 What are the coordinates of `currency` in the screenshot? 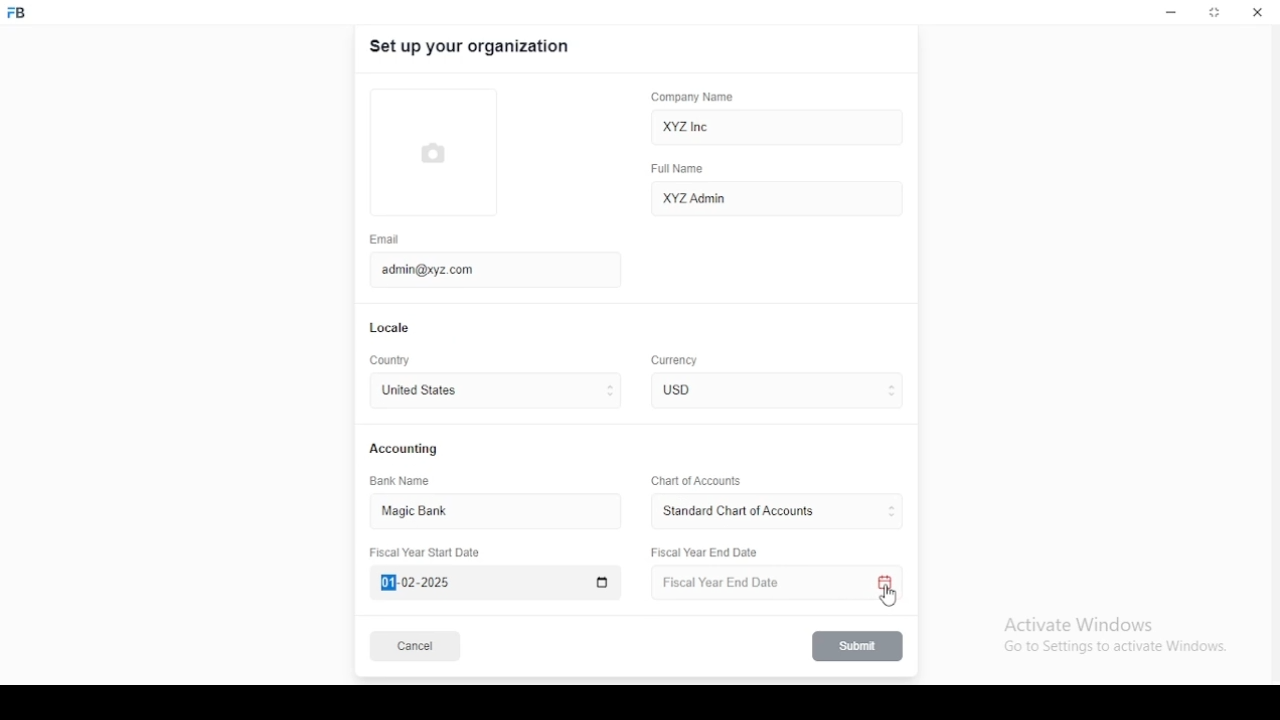 It's located at (689, 390).